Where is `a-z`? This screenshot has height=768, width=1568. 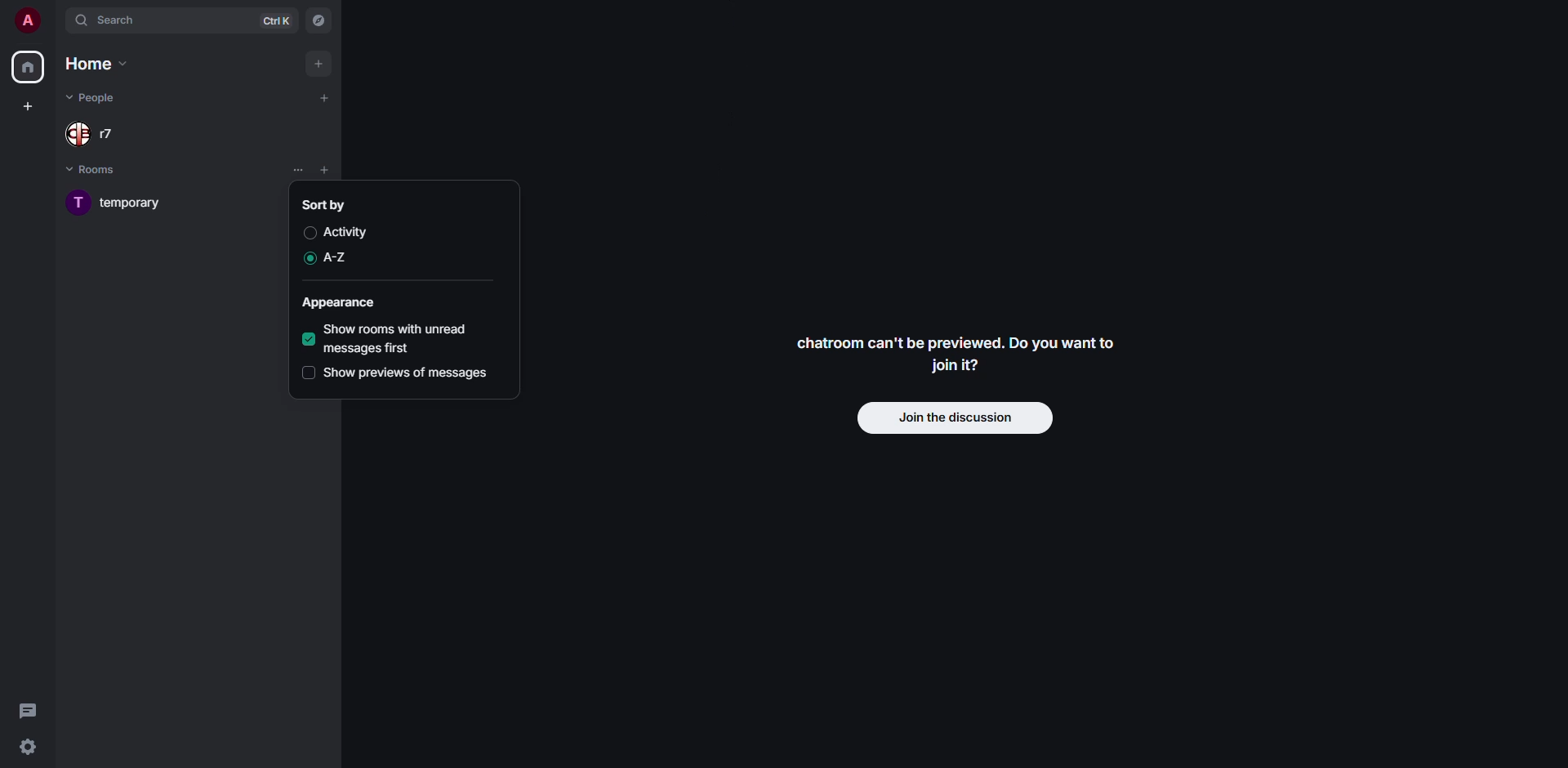 a-z is located at coordinates (341, 257).